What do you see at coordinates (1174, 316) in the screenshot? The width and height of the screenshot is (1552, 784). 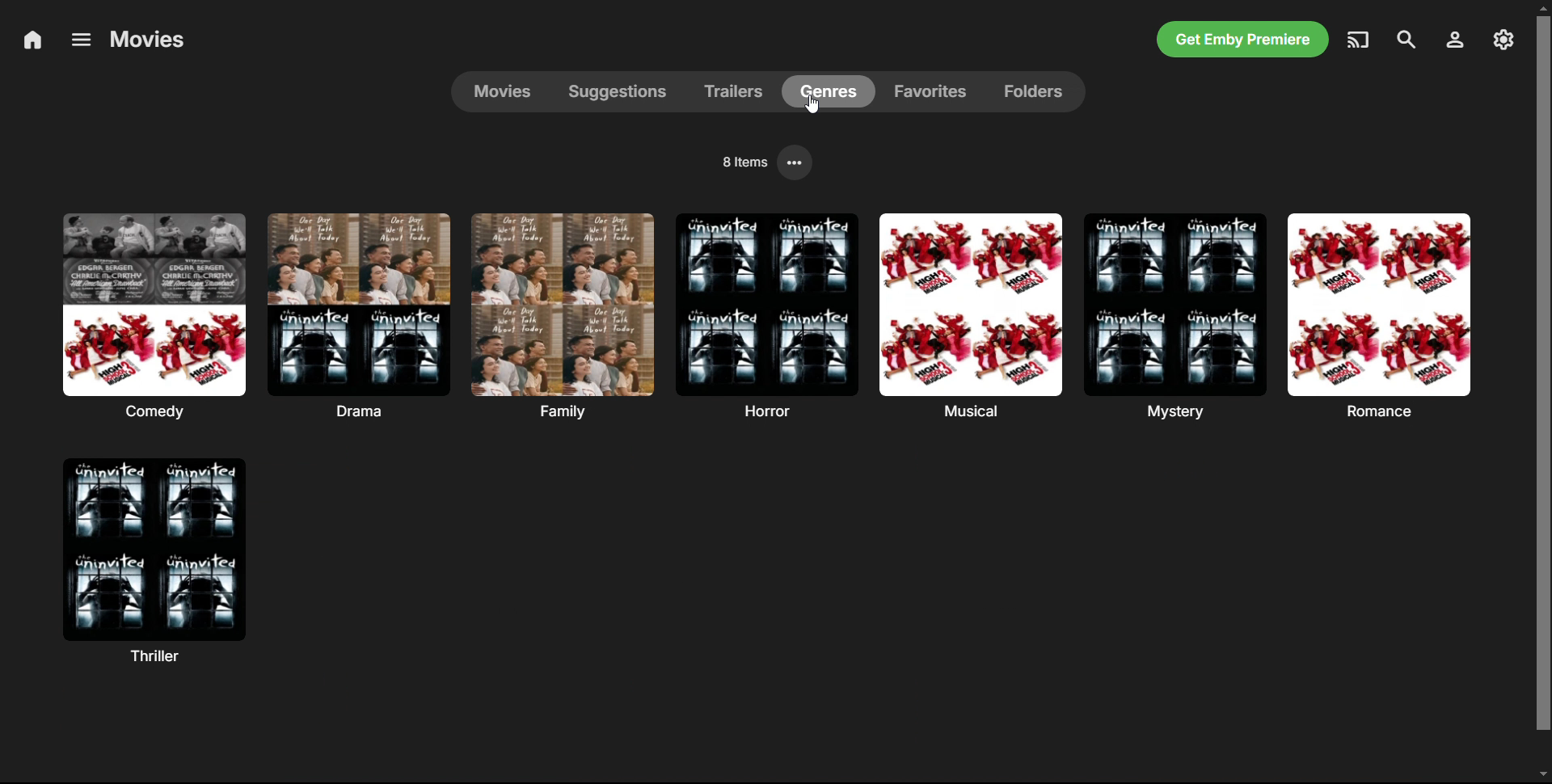 I see `mystery` at bounding box center [1174, 316].